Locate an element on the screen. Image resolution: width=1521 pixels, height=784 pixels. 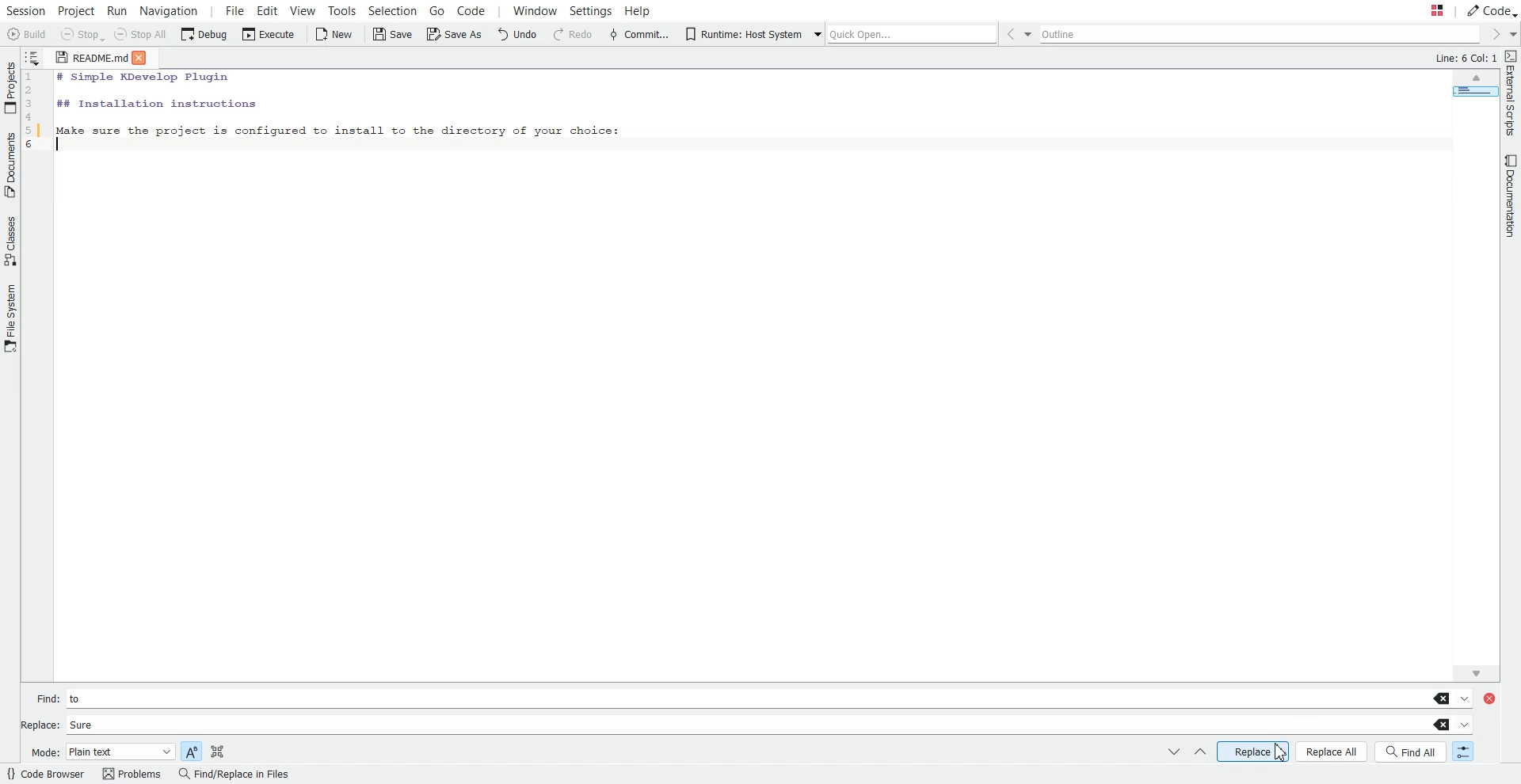
README.md (document) is located at coordinates (91, 59).